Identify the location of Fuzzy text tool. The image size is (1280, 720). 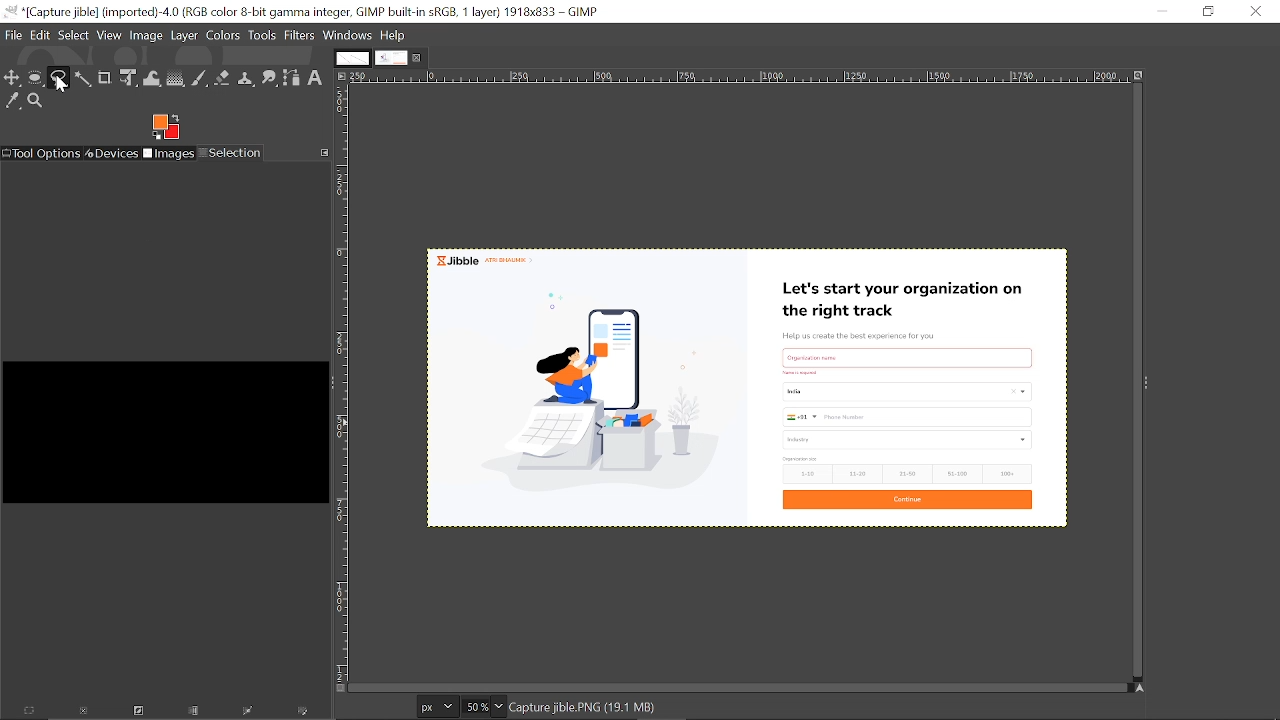
(83, 78).